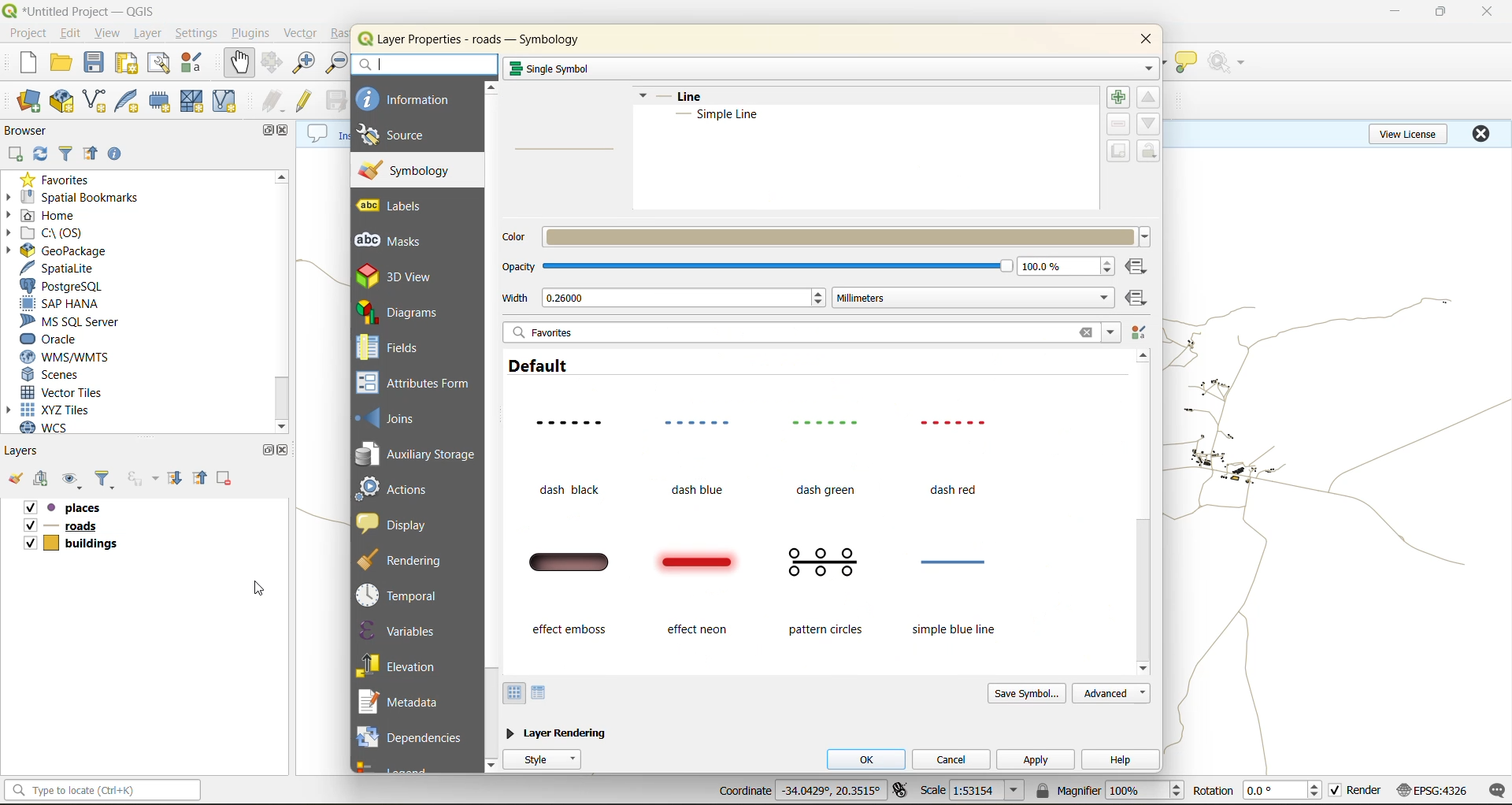 This screenshot has height=805, width=1512. What do you see at coordinates (263, 131) in the screenshot?
I see `maximize` at bounding box center [263, 131].